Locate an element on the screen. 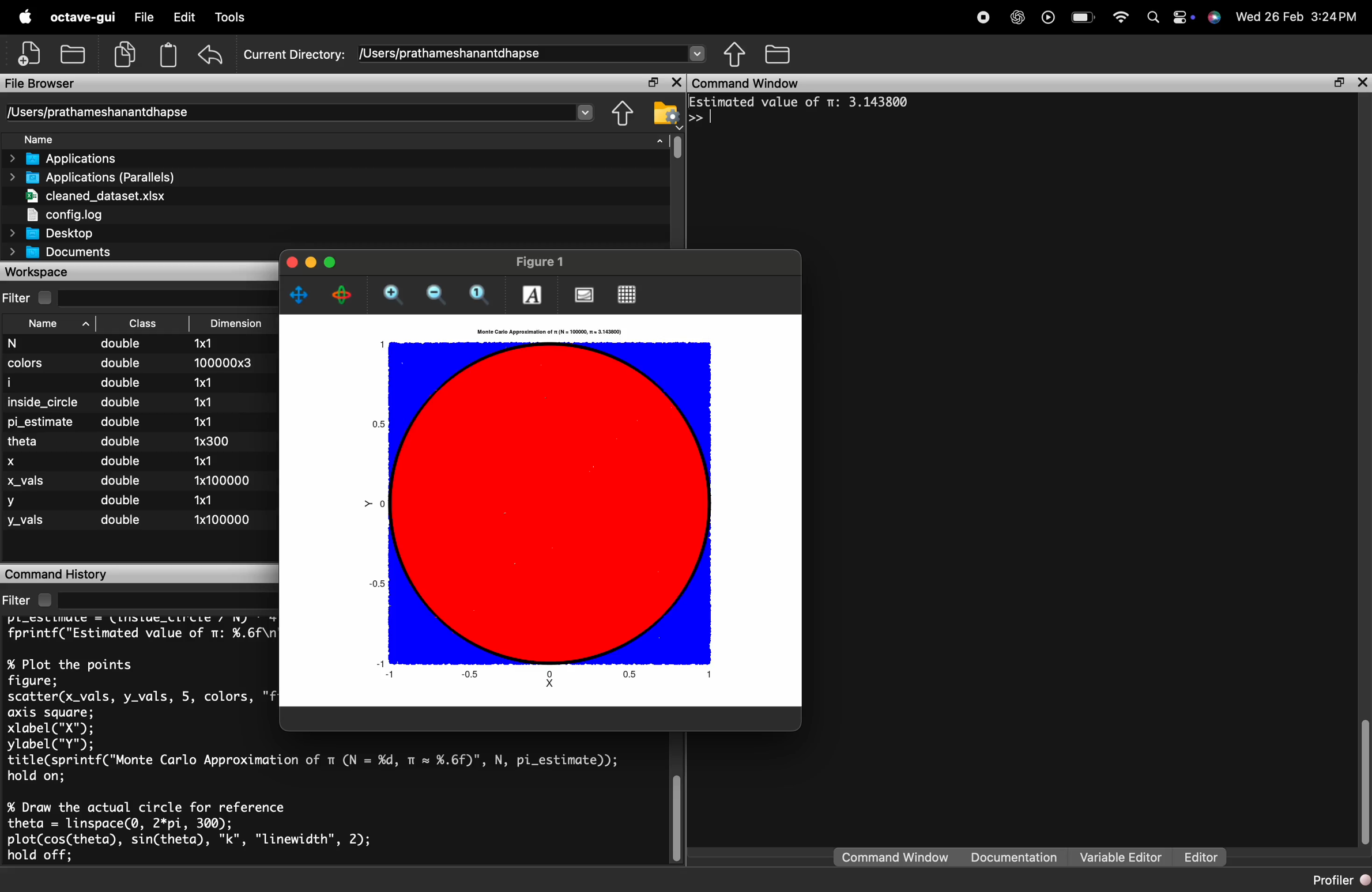 The width and height of the screenshot is (1372, 892). cleaned dataset.xlsx is located at coordinates (92, 195).